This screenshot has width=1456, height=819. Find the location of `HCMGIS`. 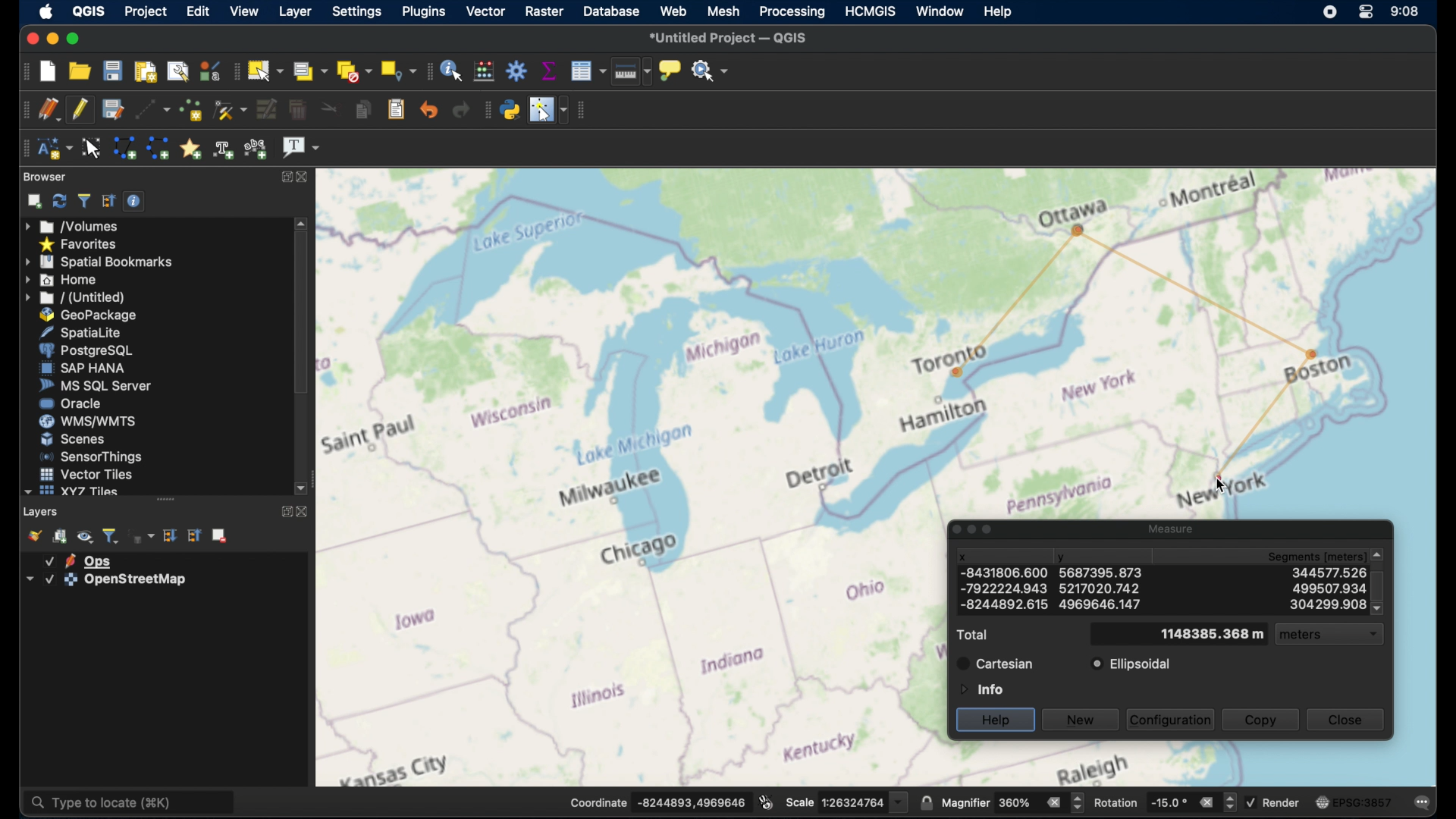

HCMGIS is located at coordinates (873, 11).